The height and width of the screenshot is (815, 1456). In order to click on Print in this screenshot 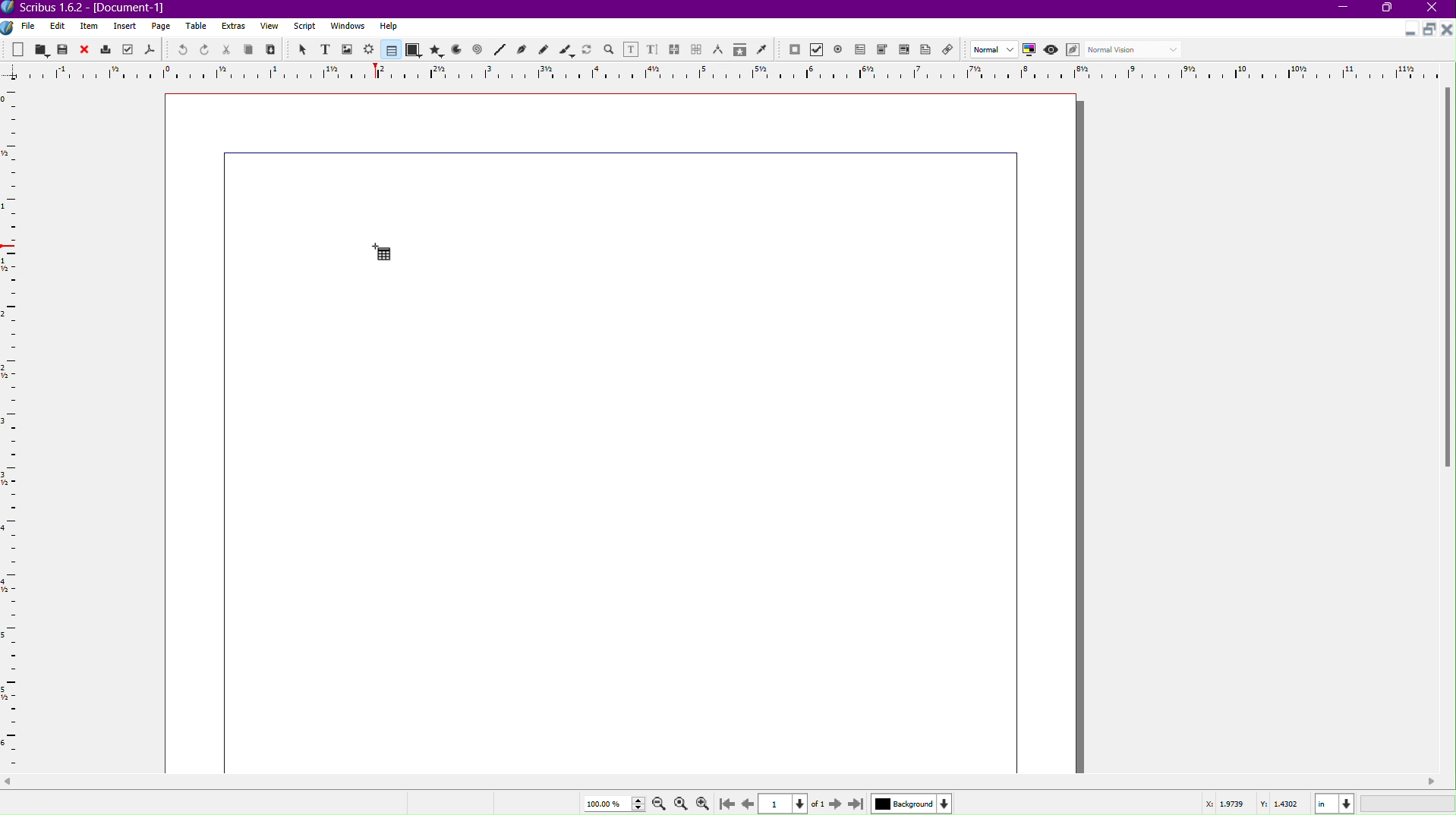, I will do `click(106, 49)`.